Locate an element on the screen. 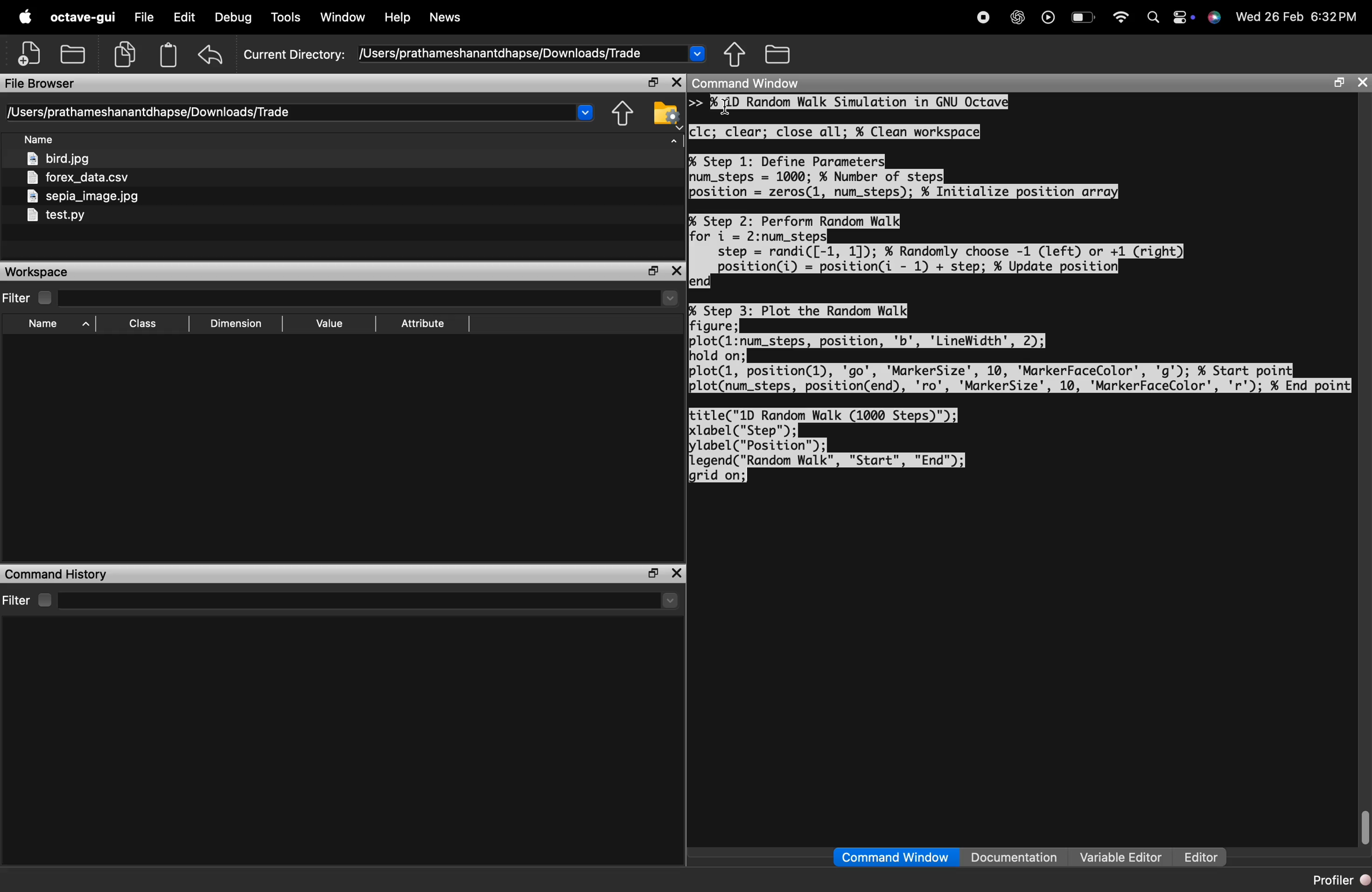  one directory up is located at coordinates (736, 54).